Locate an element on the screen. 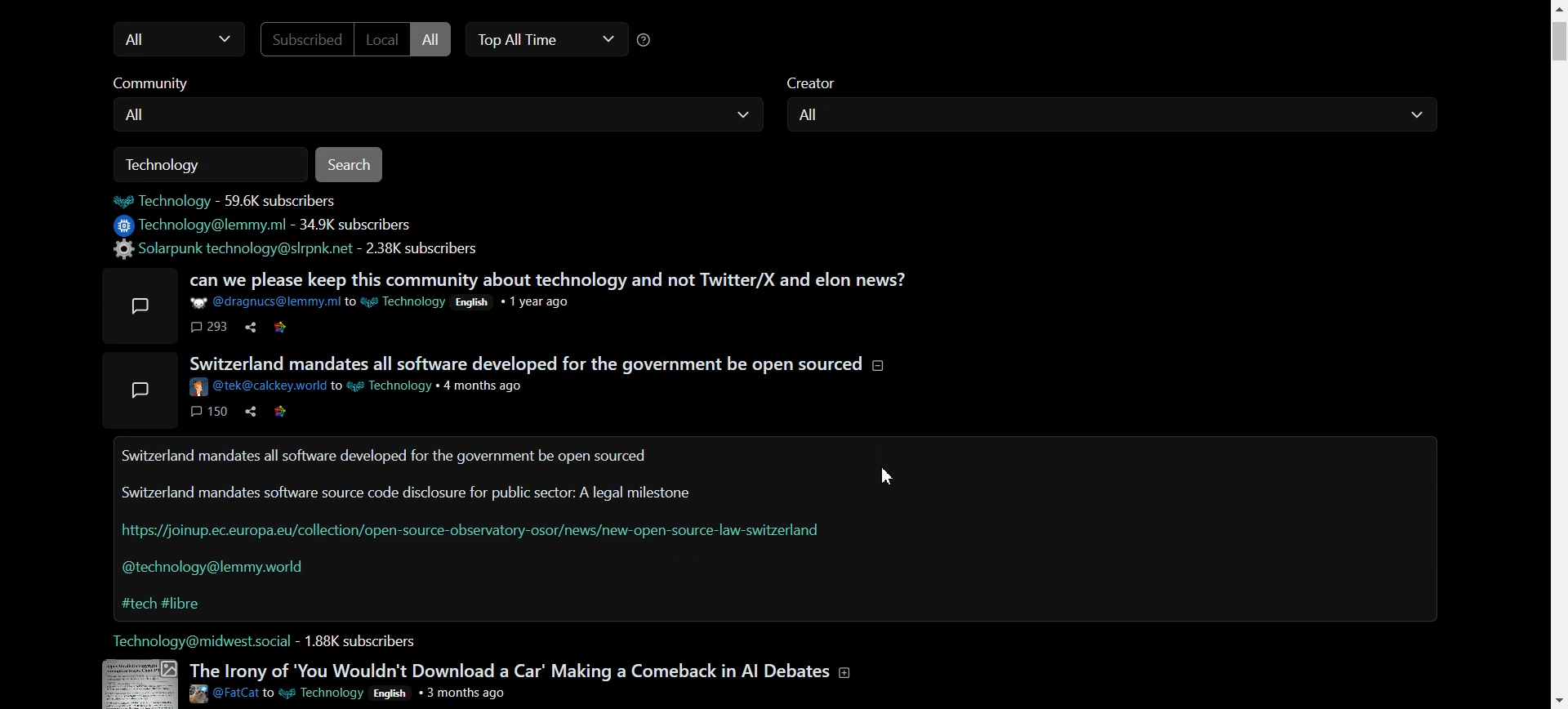 The height and width of the screenshot is (709, 1568). Post details is located at coordinates (381, 302).